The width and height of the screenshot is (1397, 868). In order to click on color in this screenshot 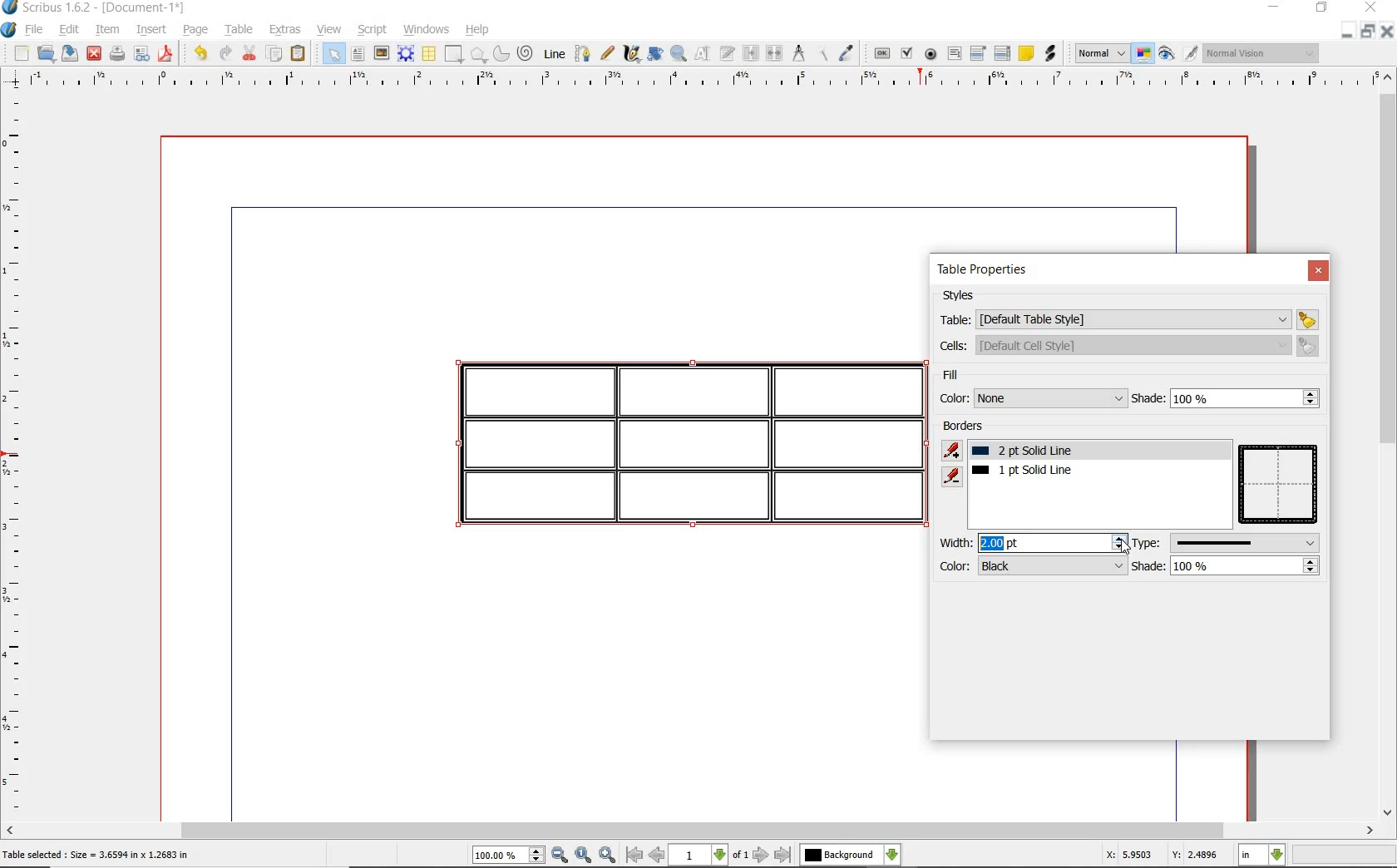, I will do `click(1033, 565)`.